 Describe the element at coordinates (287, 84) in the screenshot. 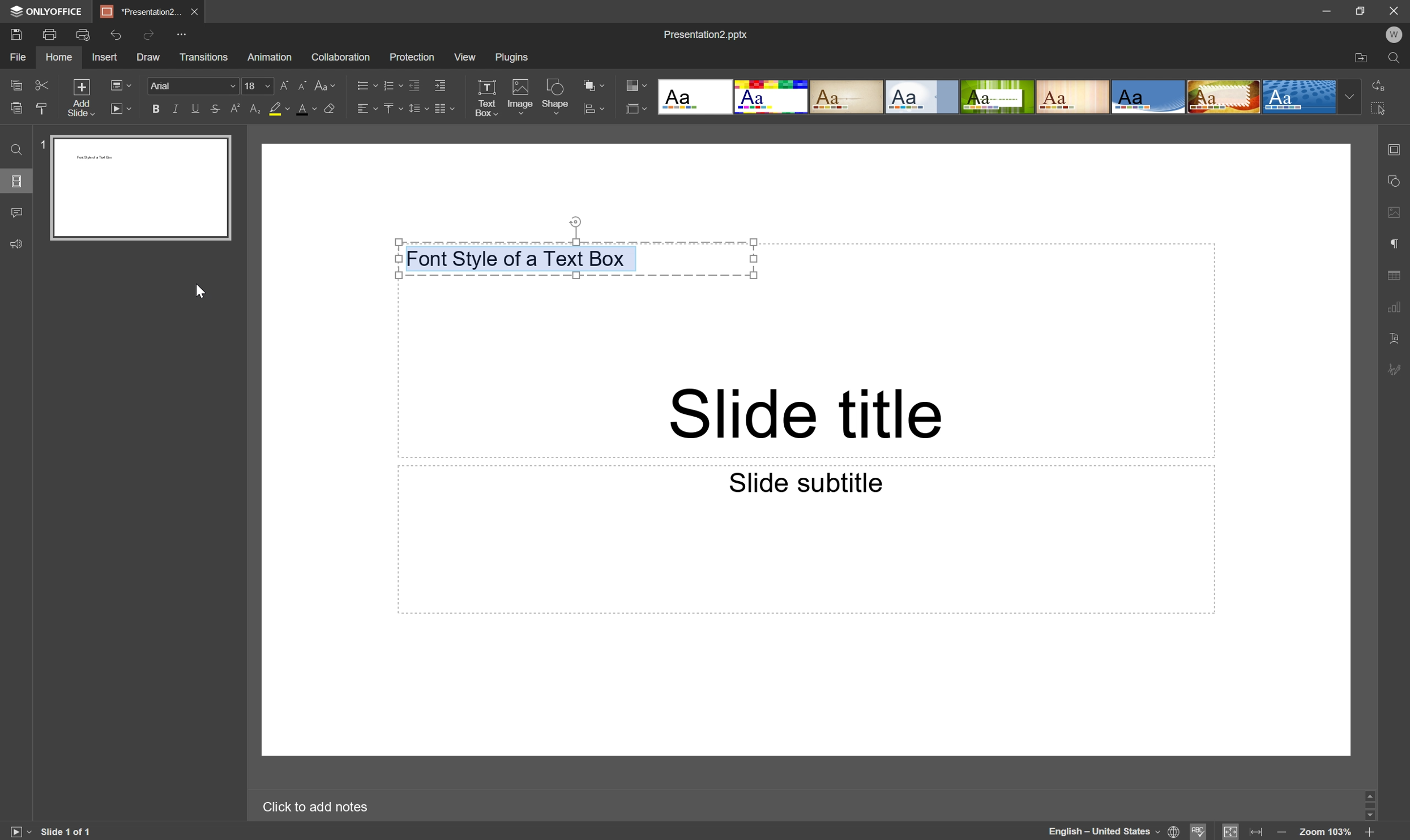

I see `Increment font size` at that location.